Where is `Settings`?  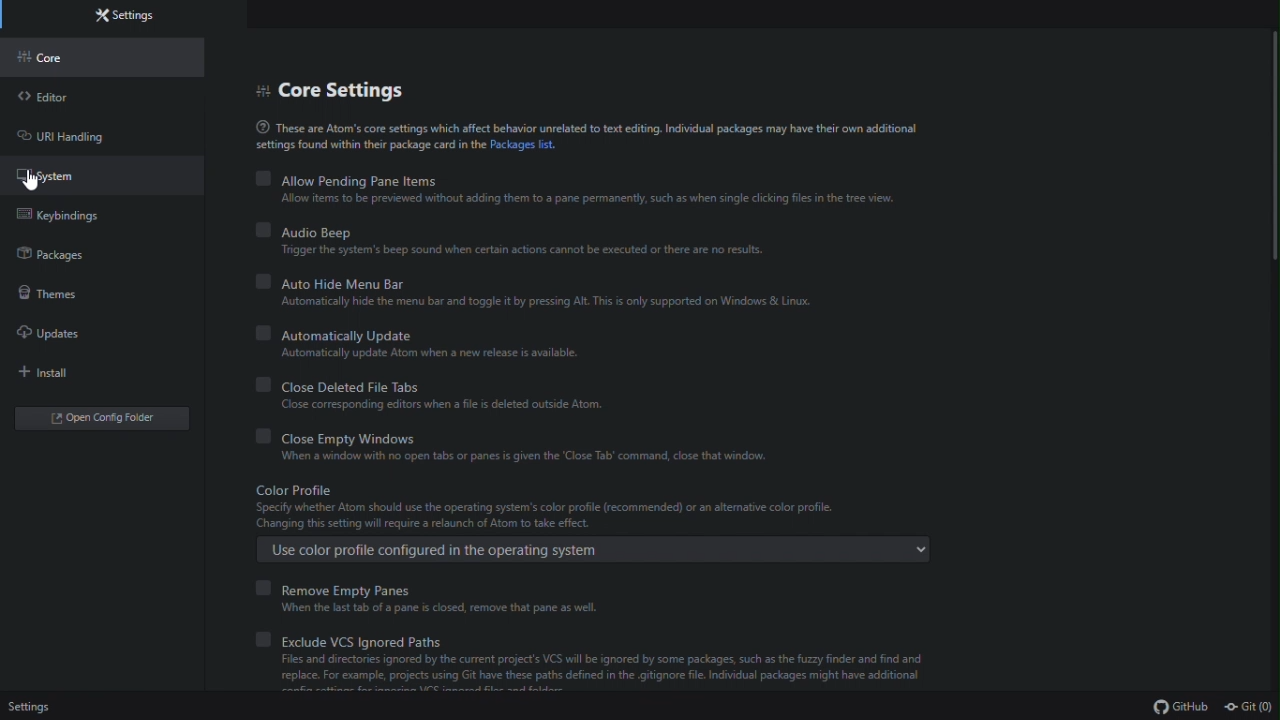 Settings is located at coordinates (128, 18).